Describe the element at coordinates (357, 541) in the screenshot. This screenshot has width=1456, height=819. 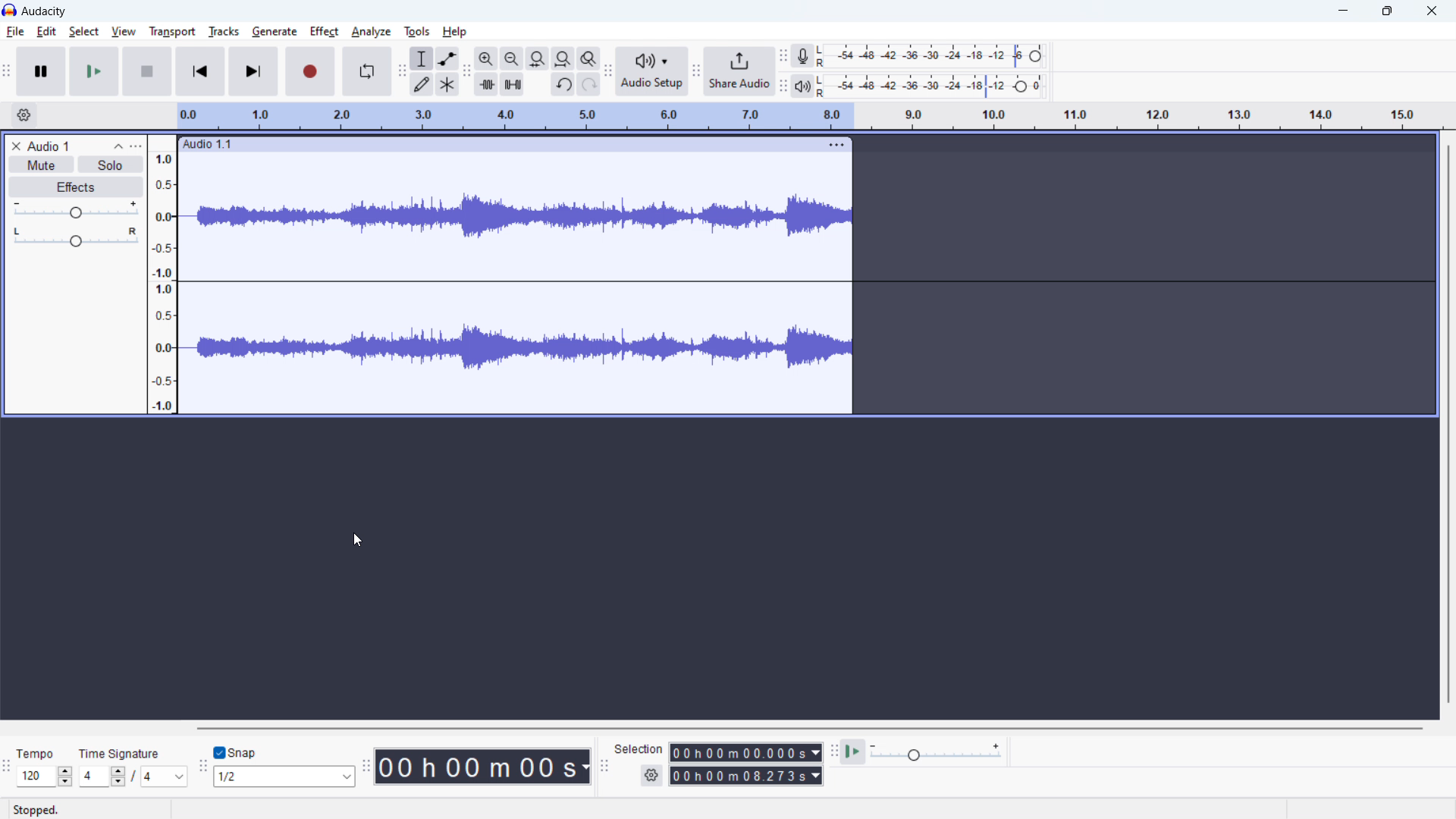
I see `cursor` at that location.